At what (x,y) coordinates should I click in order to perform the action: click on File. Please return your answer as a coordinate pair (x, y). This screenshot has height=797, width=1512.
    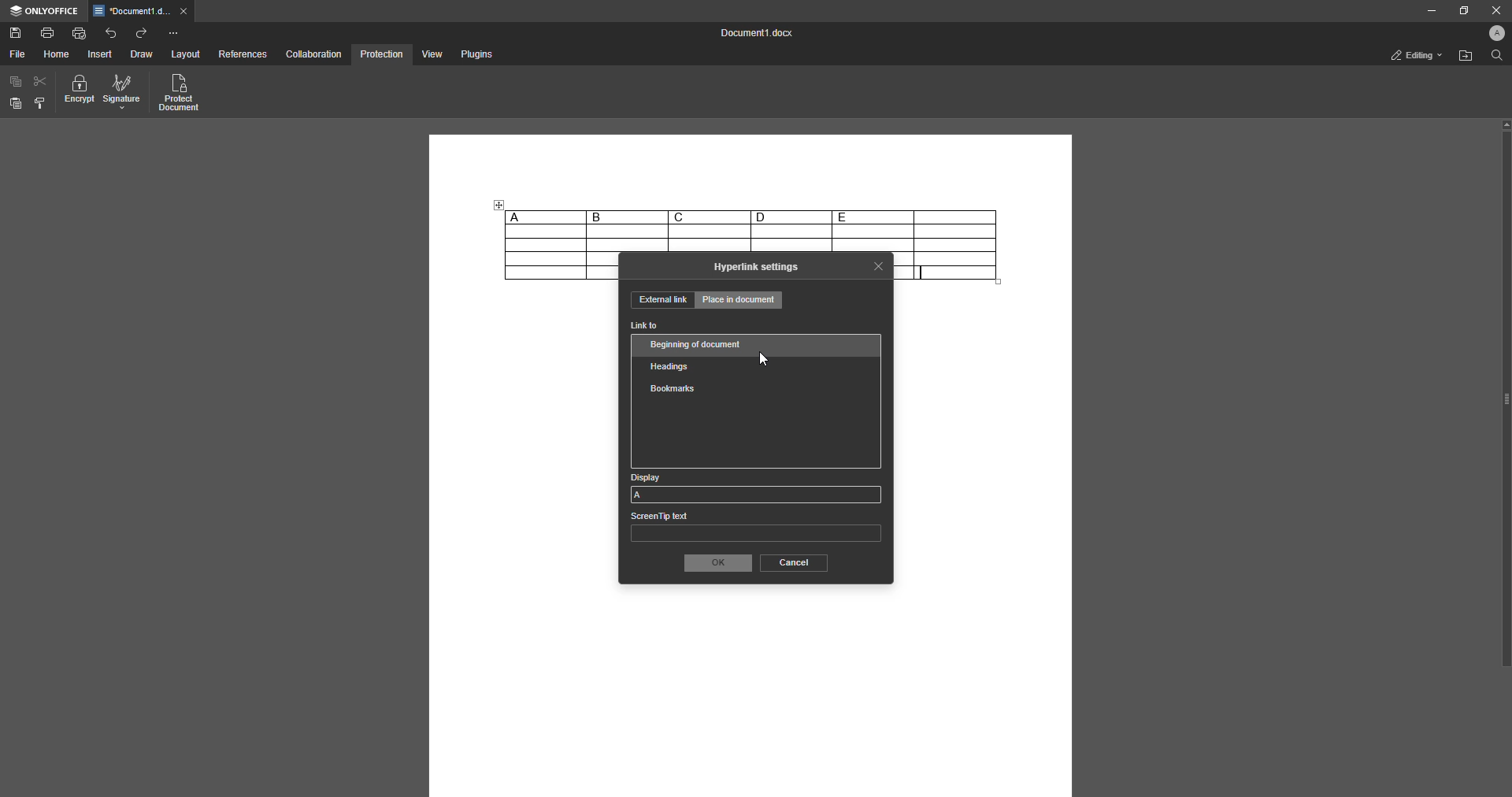
    Looking at the image, I should click on (17, 54).